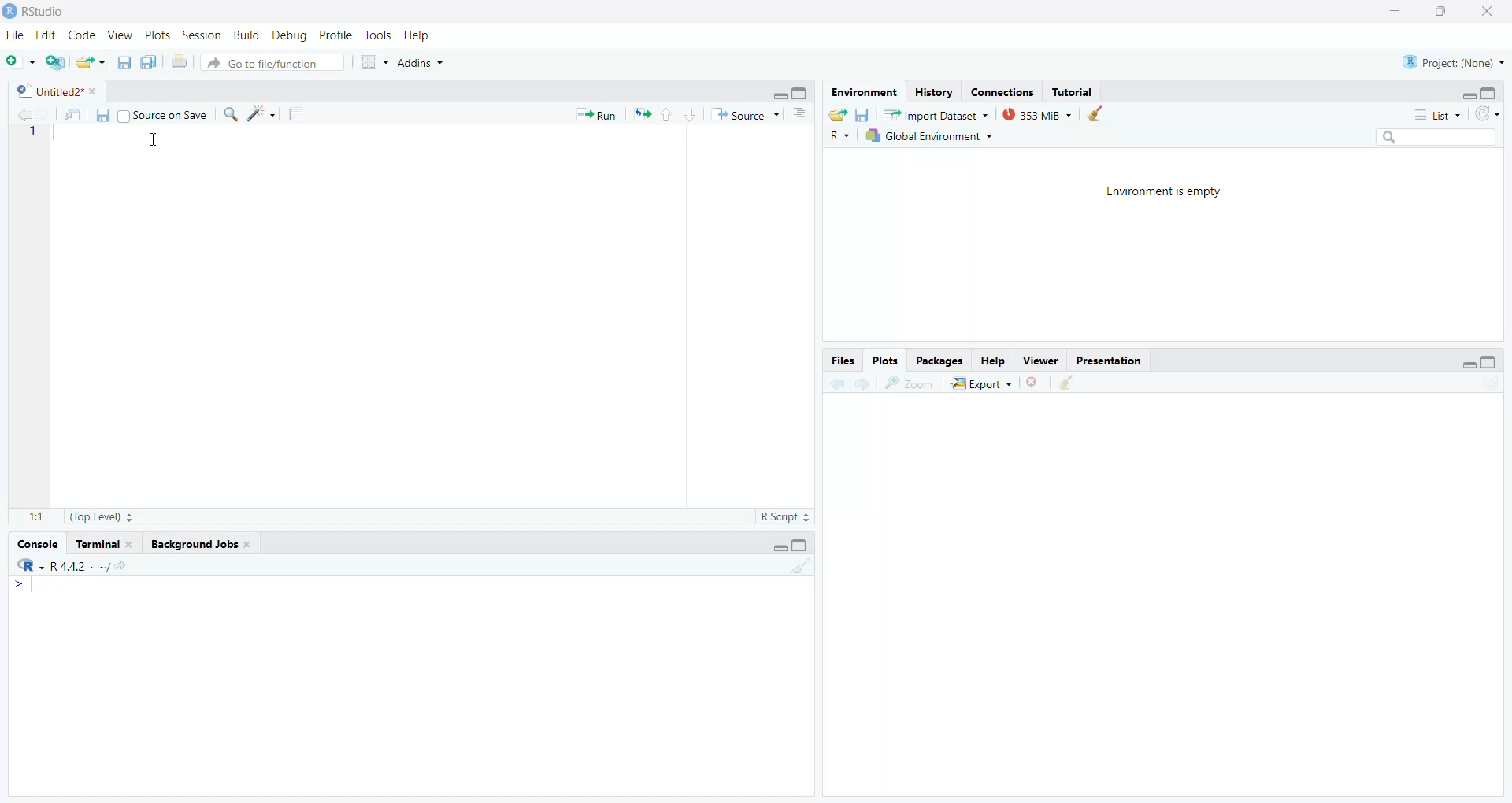 The width and height of the screenshot is (1512, 803). Describe the element at coordinates (91, 62) in the screenshot. I see `open an existing file` at that location.